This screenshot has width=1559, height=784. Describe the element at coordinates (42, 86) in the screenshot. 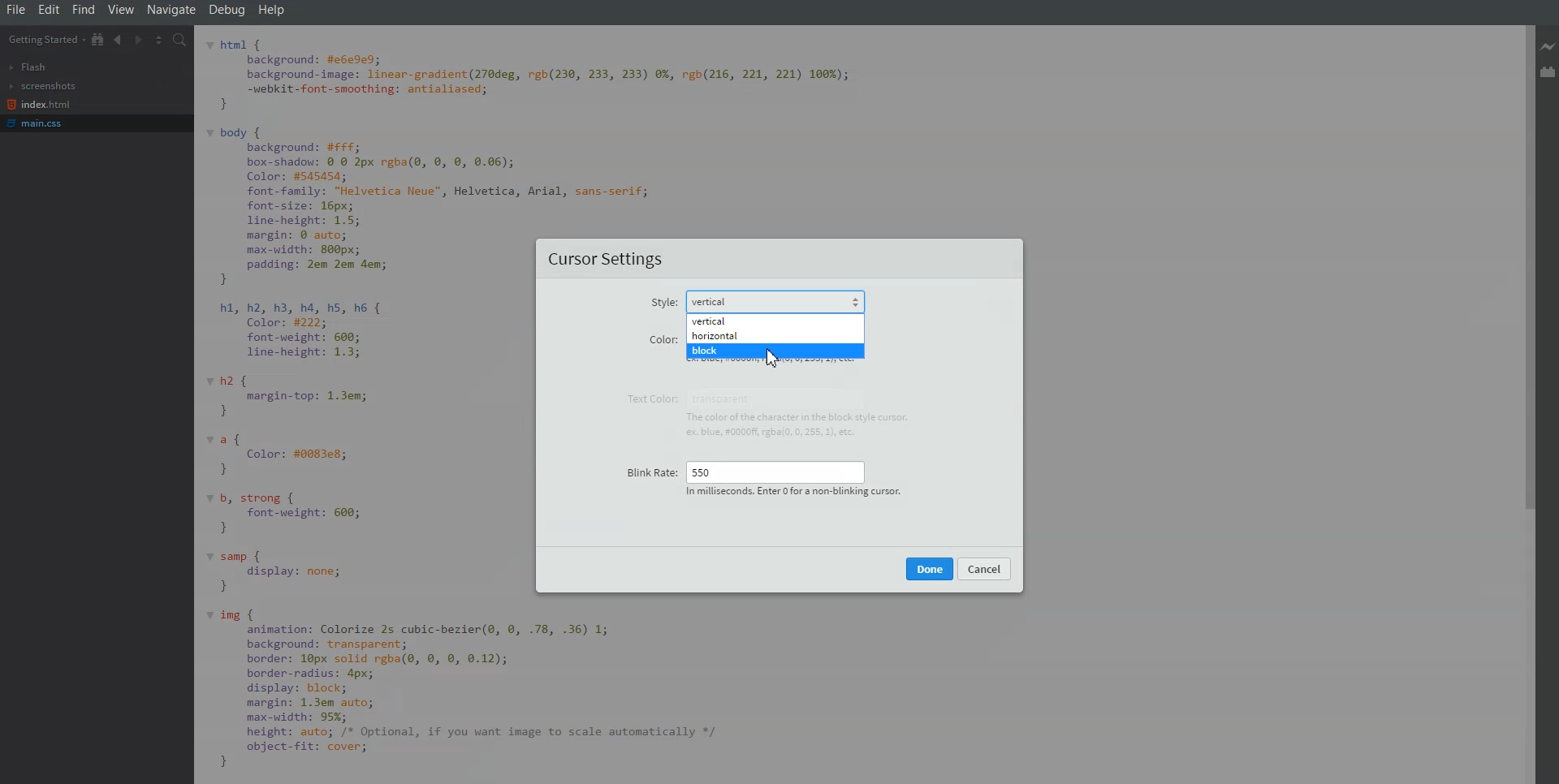

I see `Screenshots` at that location.